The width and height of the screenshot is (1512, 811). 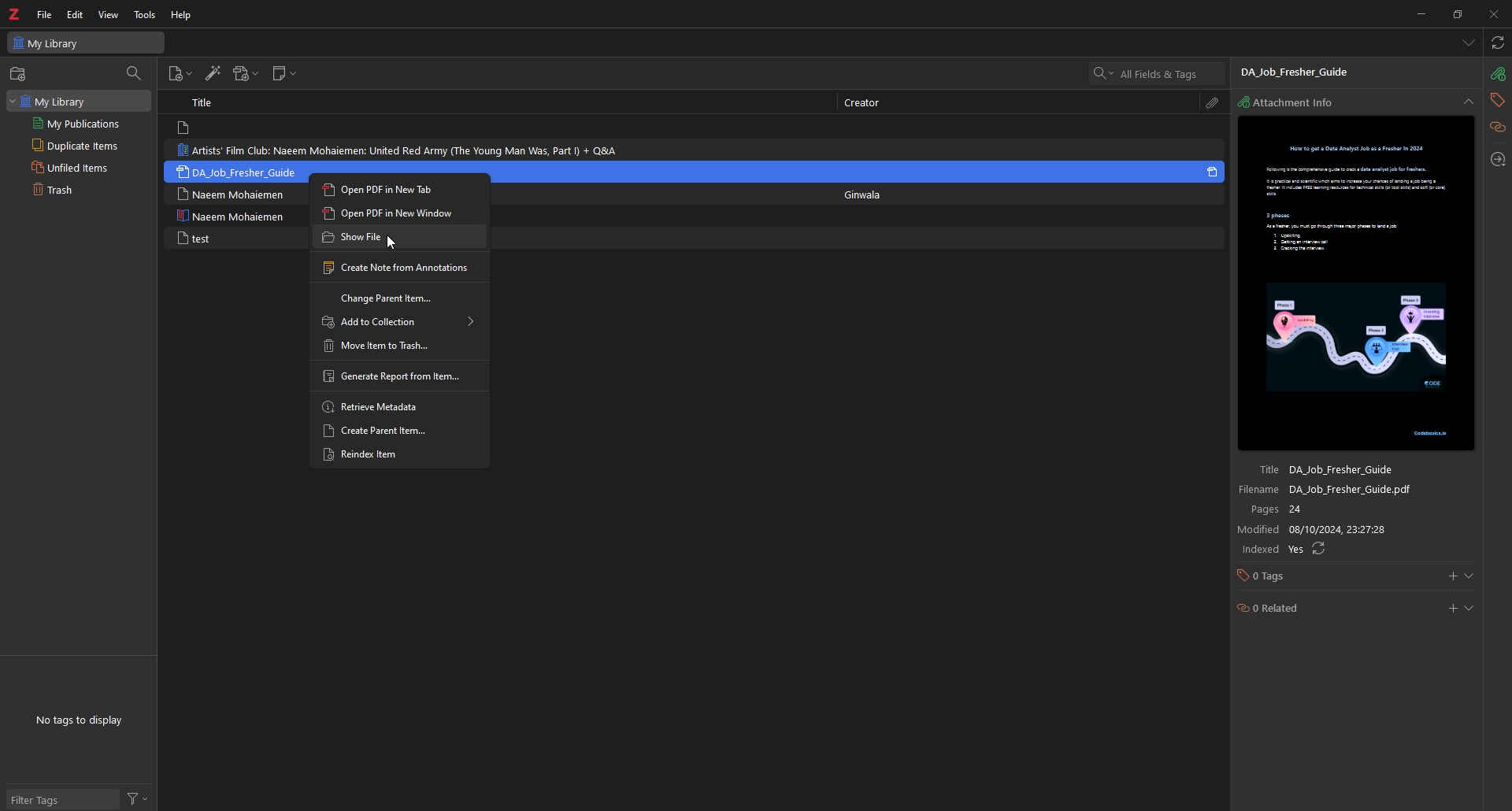 What do you see at coordinates (80, 145) in the screenshot?
I see `duplicate items` at bounding box center [80, 145].